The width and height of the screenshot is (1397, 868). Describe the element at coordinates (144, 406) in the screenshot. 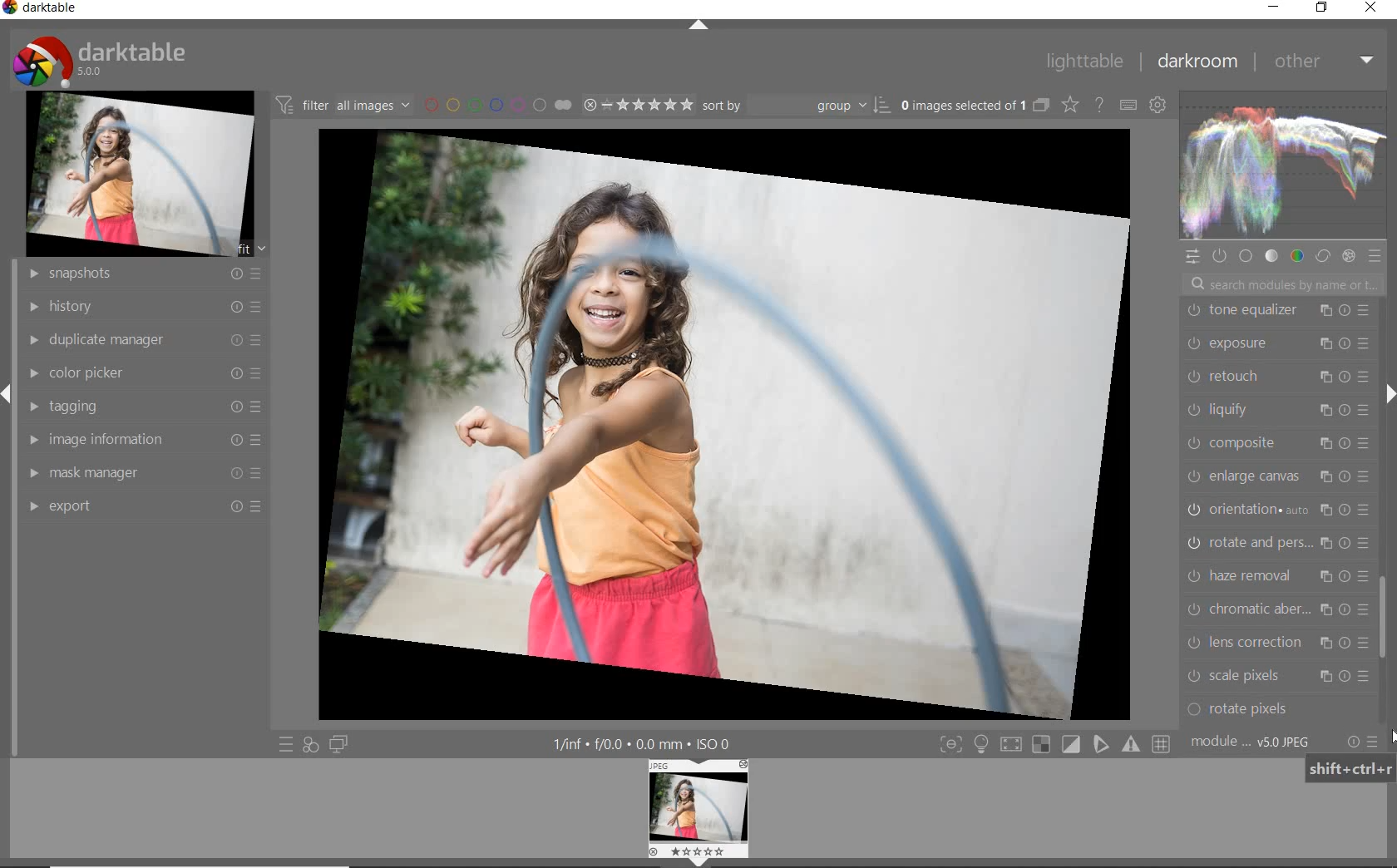

I see `tagging` at that location.